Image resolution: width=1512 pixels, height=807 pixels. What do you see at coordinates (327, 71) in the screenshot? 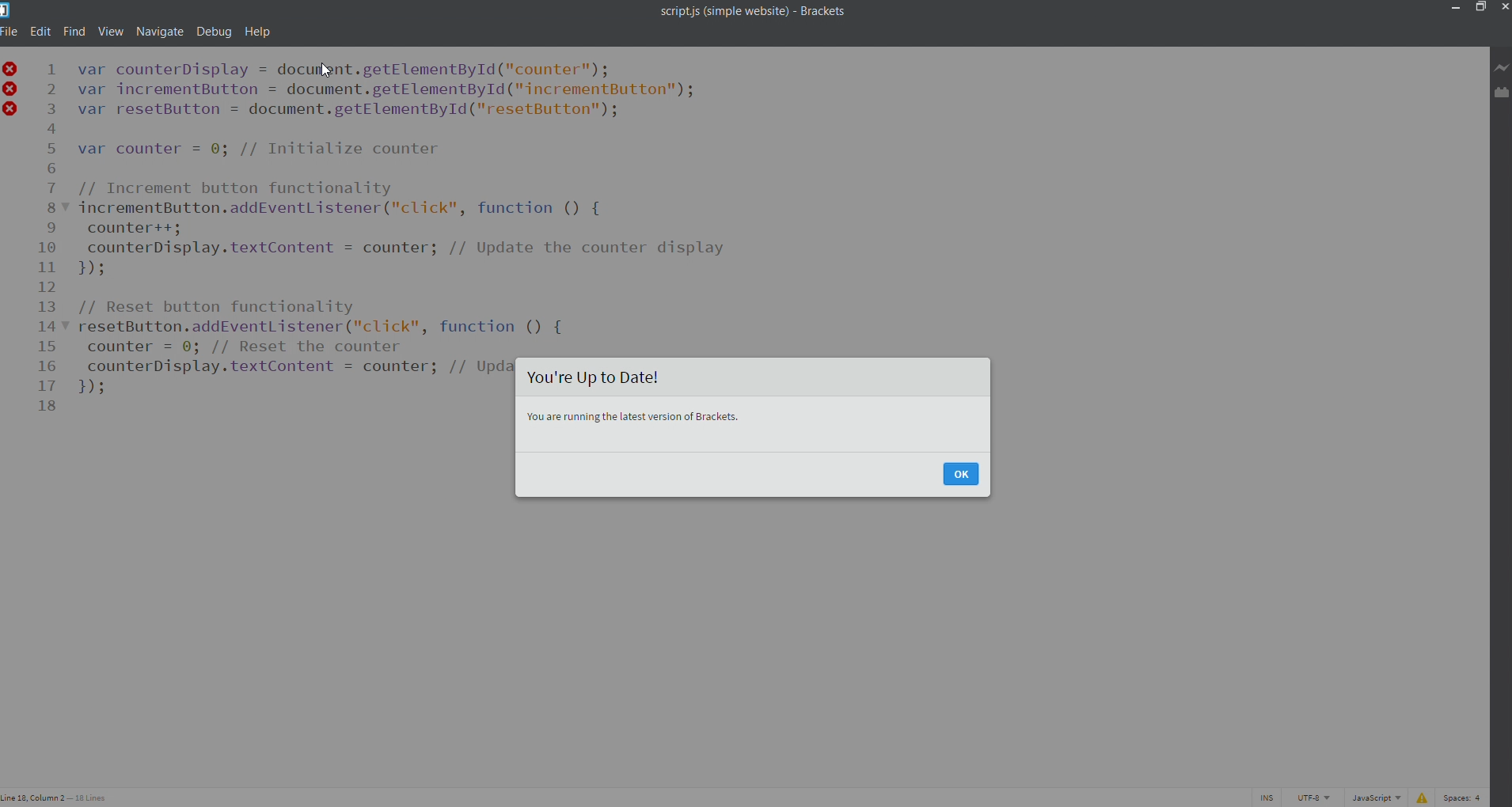
I see `cursor` at bounding box center [327, 71].